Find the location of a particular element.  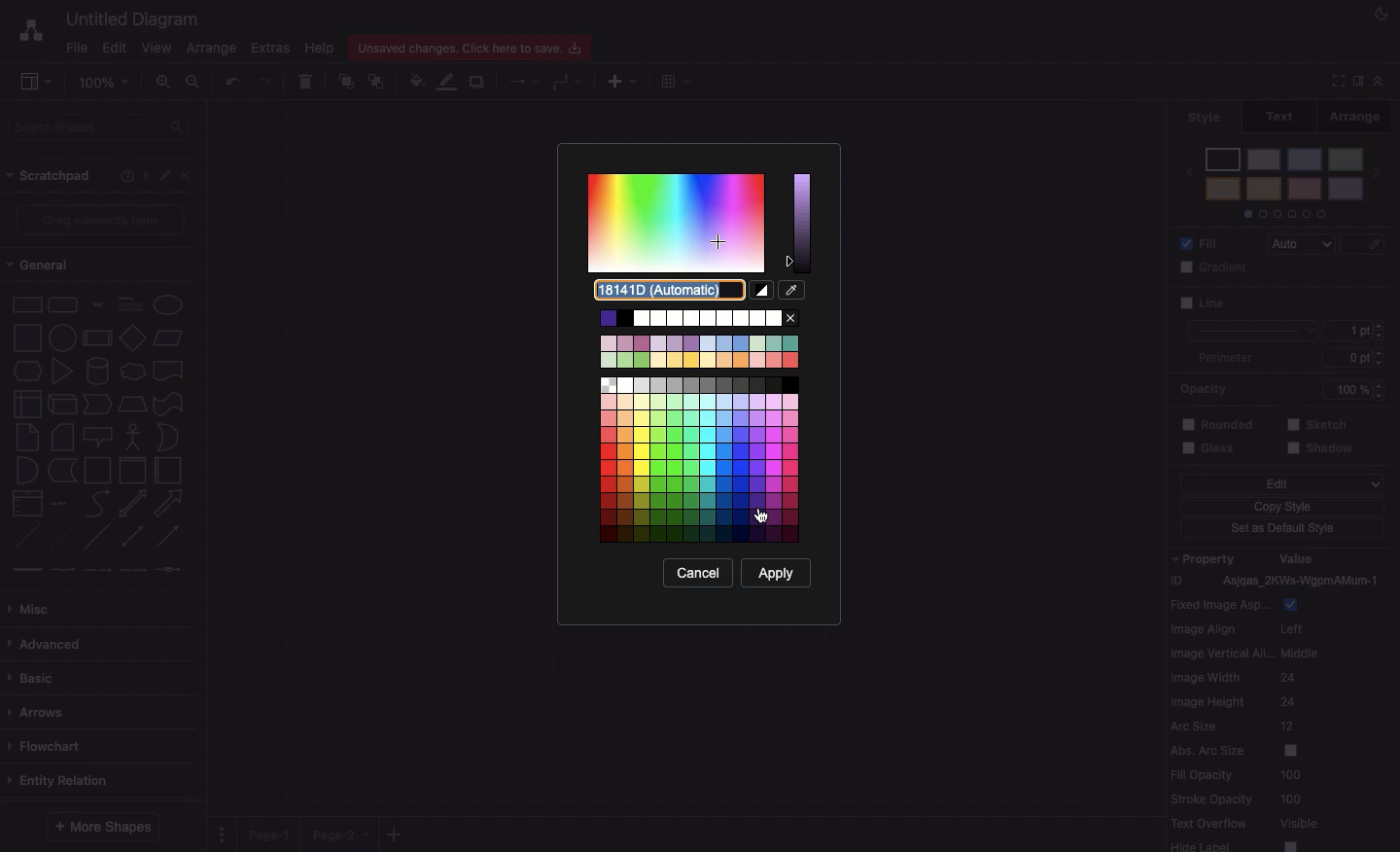

More shapes is located at coordinates (105, 823).